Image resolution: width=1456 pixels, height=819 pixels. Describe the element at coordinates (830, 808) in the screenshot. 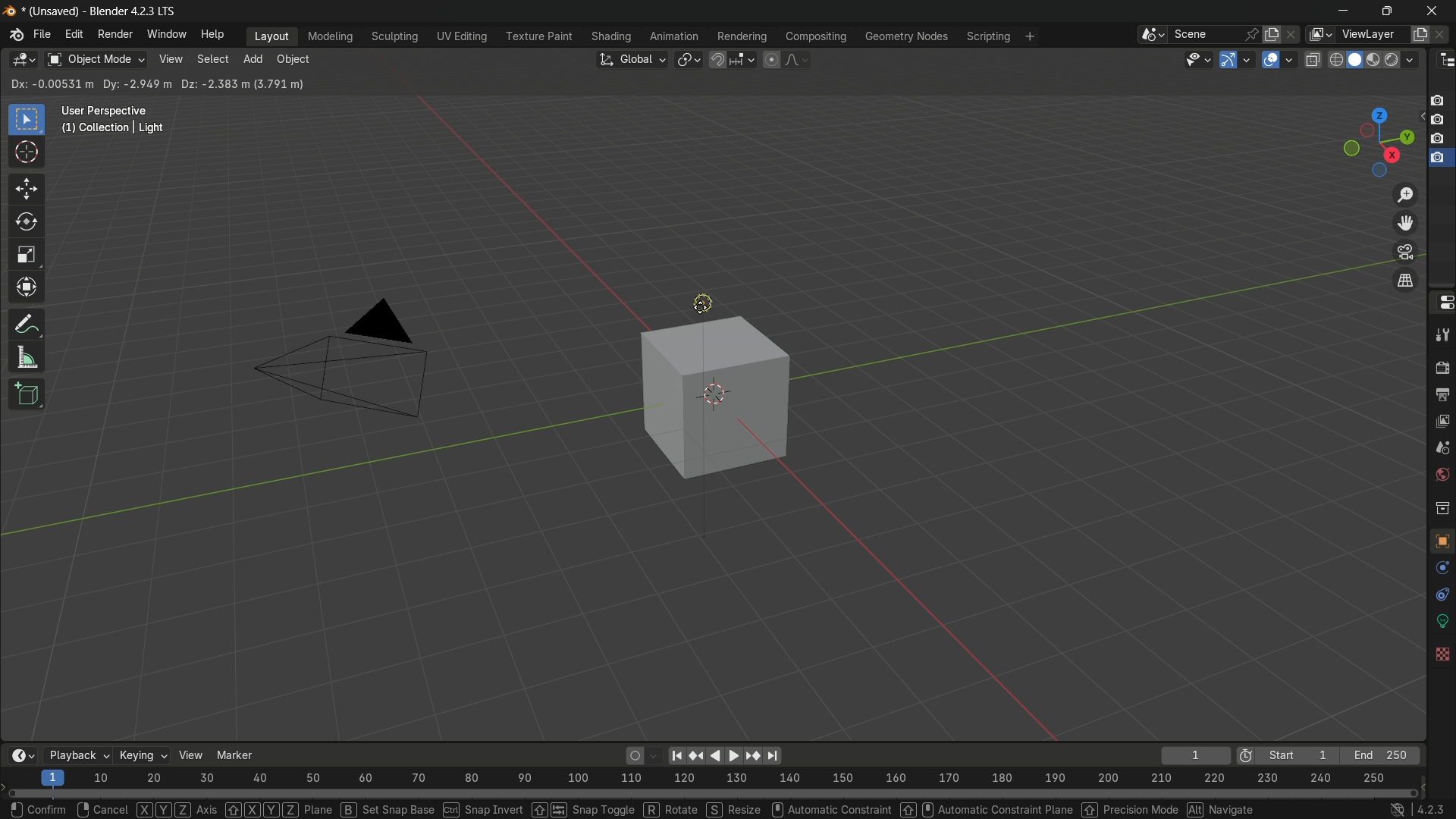

I see `Automatic Constraint` at that location.